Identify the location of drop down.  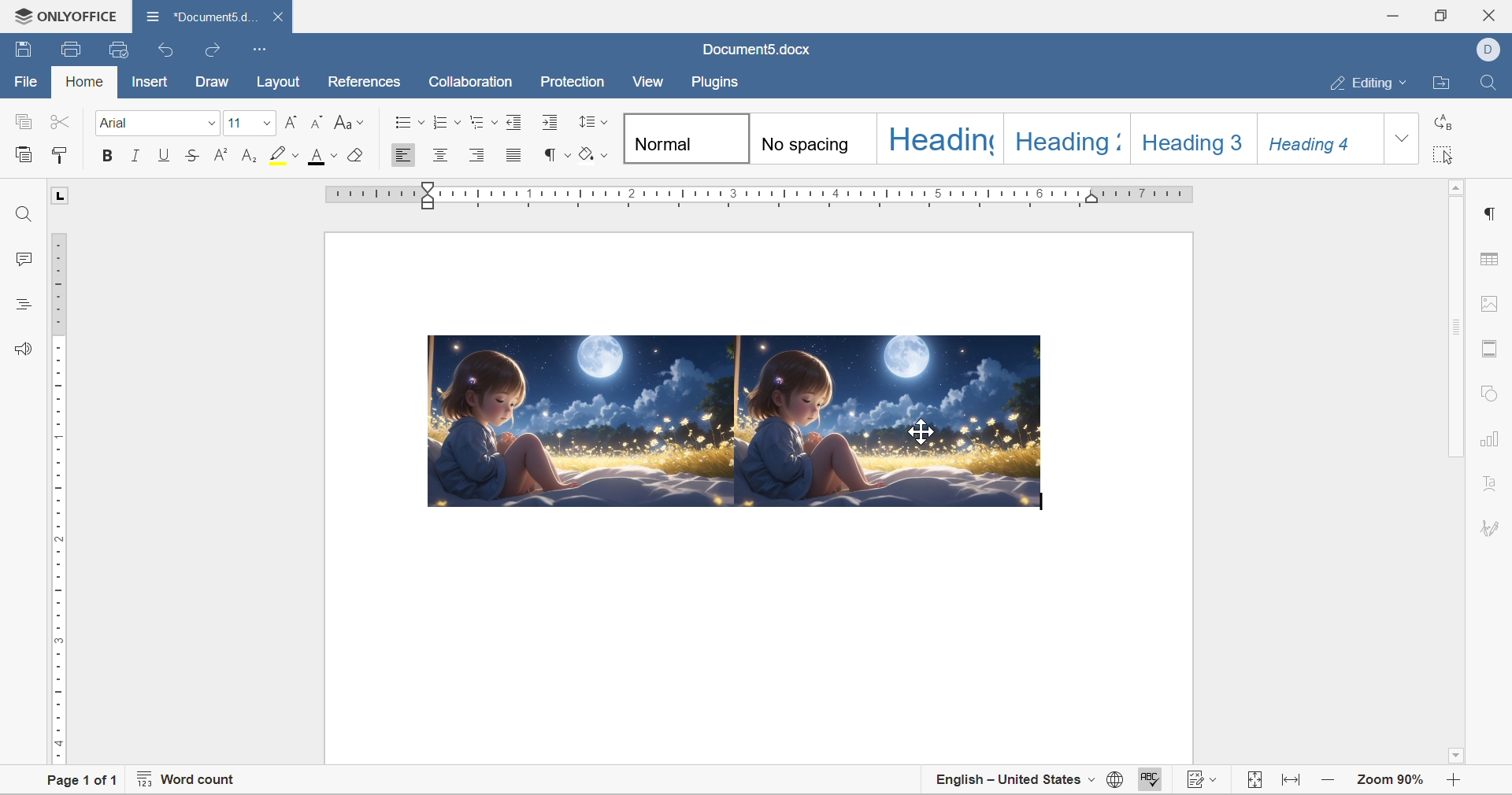
(265, 124).